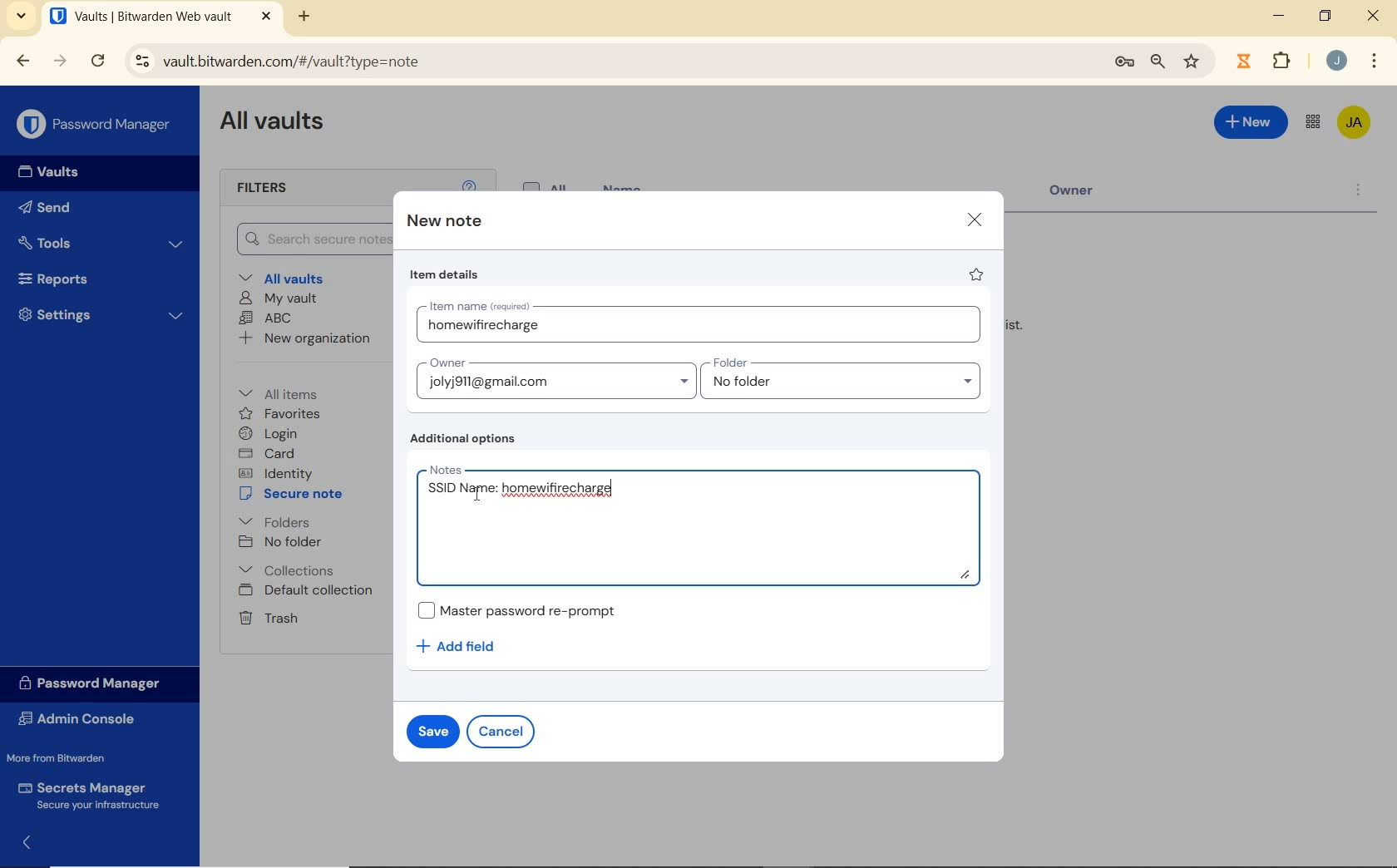  What do you see at coordinates (442, 221) in the screenshot?
I see `new note` at bounding box center [442, 221].